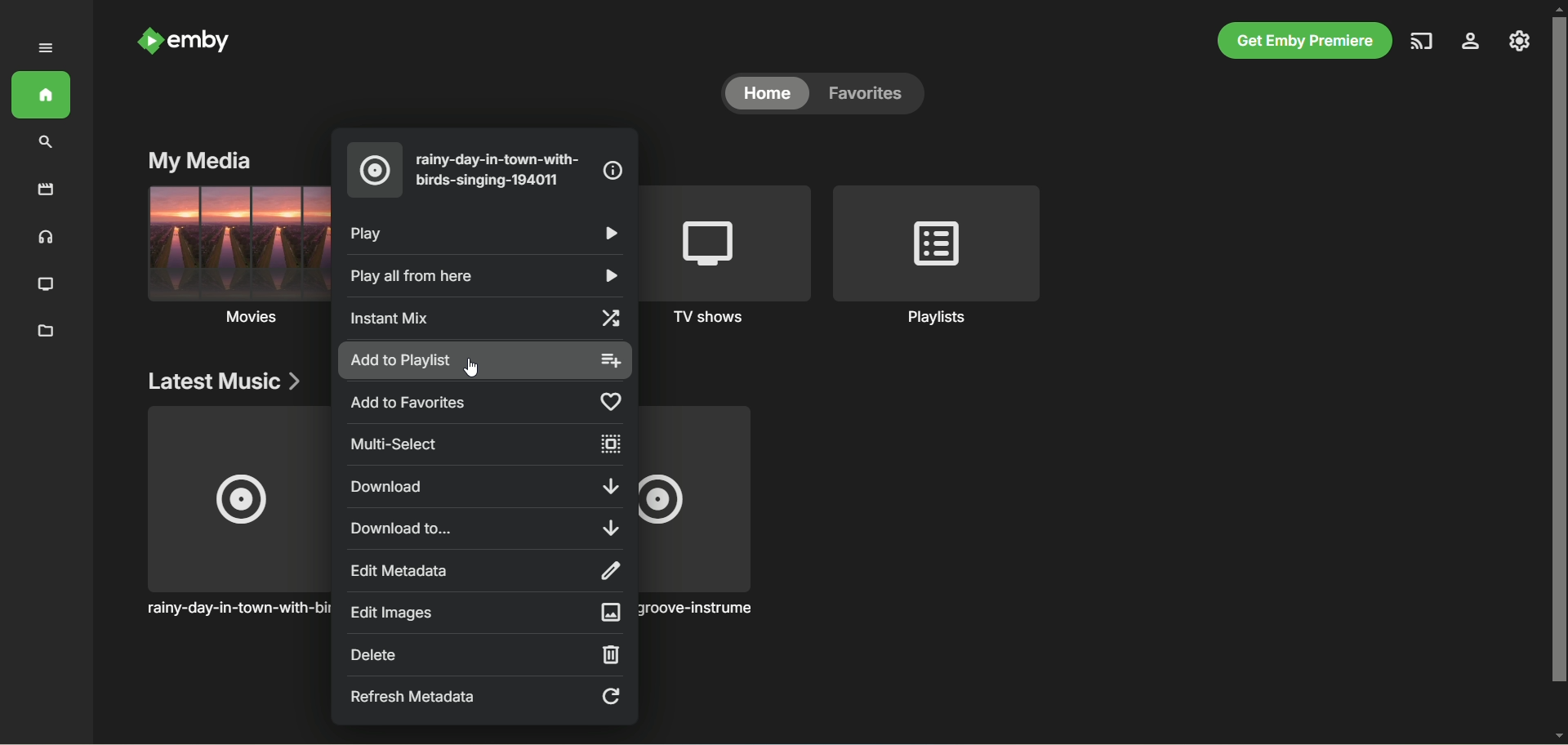 The image size is (1568, 745). Describe the element at coordinates (767, 92) in the screenshot. I see `home` at that location.